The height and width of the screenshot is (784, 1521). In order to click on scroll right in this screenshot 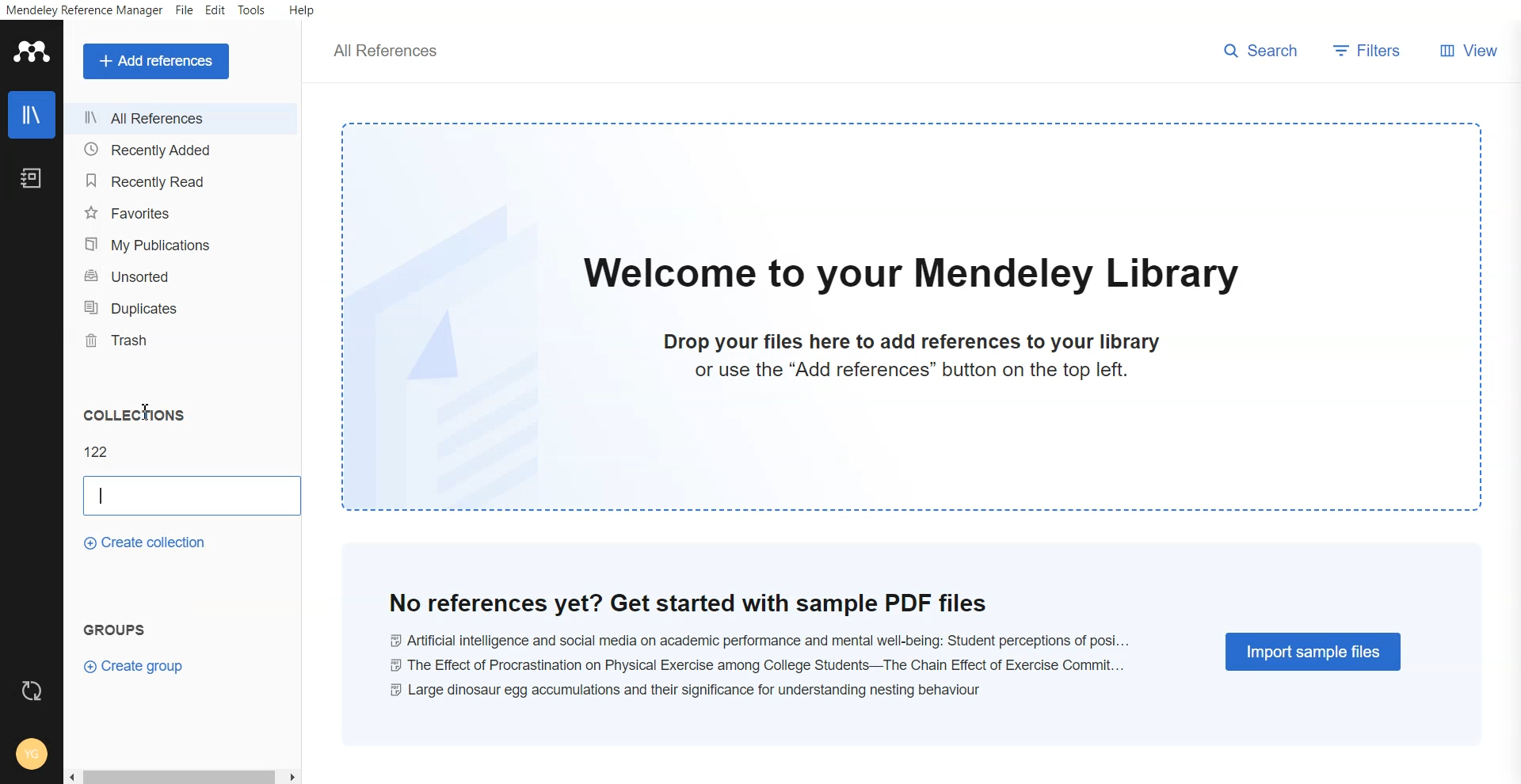, I will do `click(292, 777)`.